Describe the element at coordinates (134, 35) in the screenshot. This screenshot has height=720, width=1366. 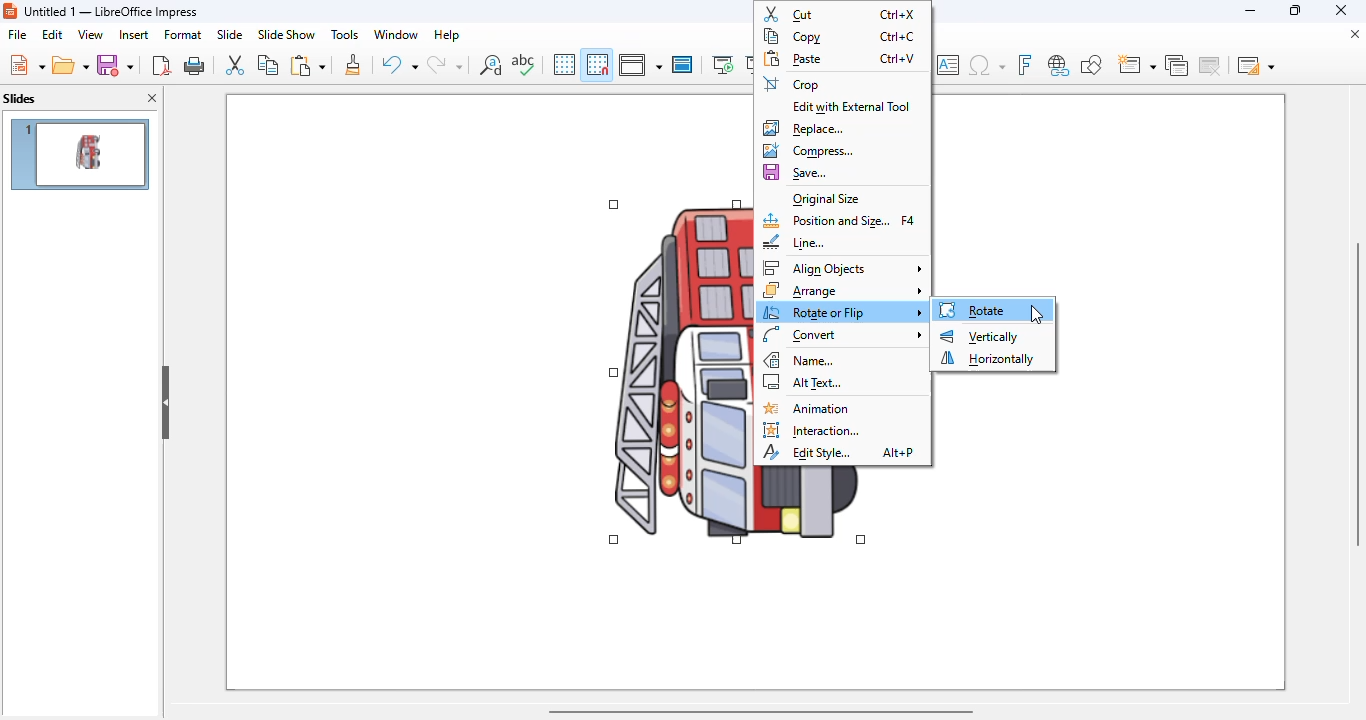
I see `insert` at that location.